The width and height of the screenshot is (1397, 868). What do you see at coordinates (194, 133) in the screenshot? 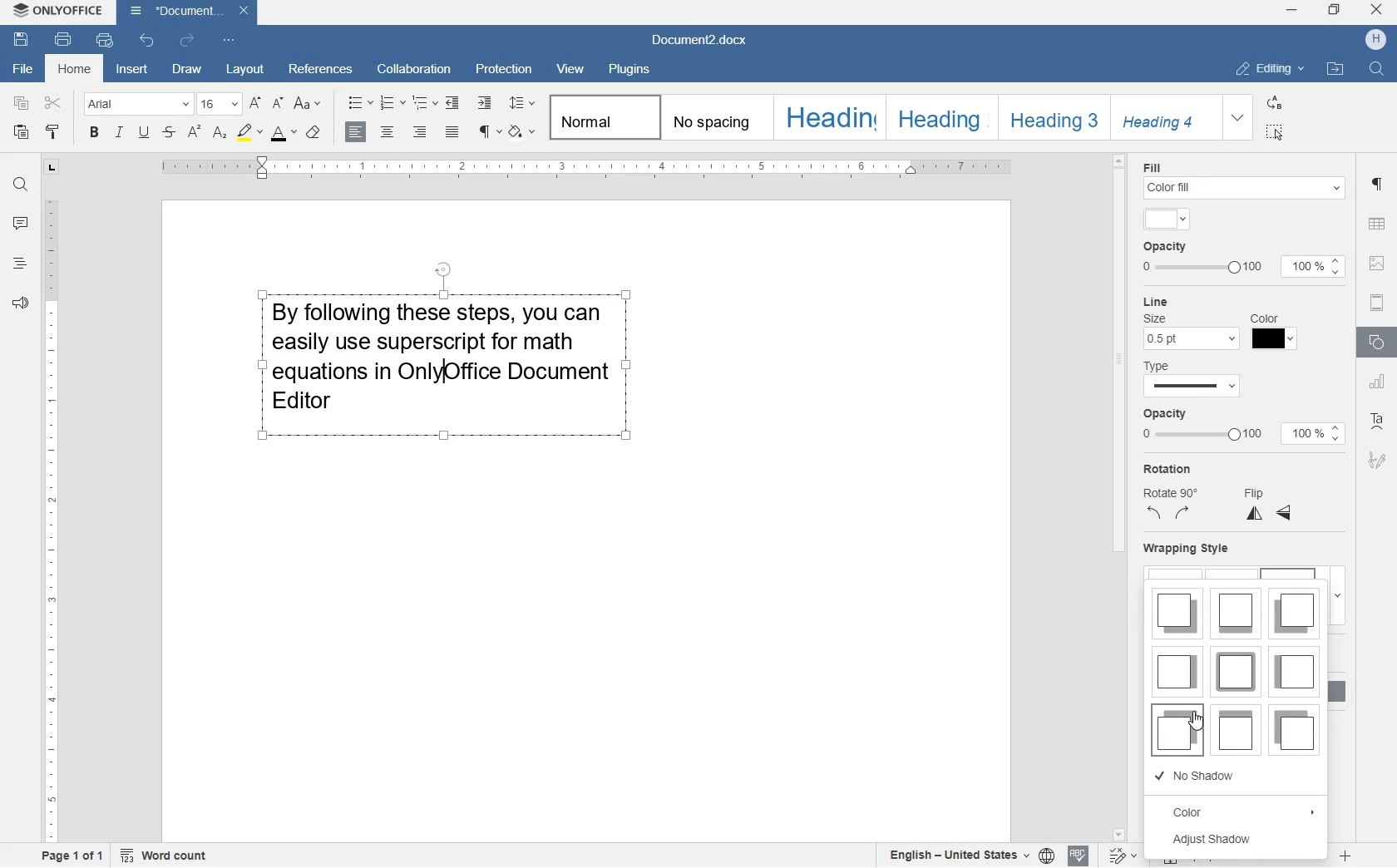
I see `superscript` at bounding box center [194, 133].